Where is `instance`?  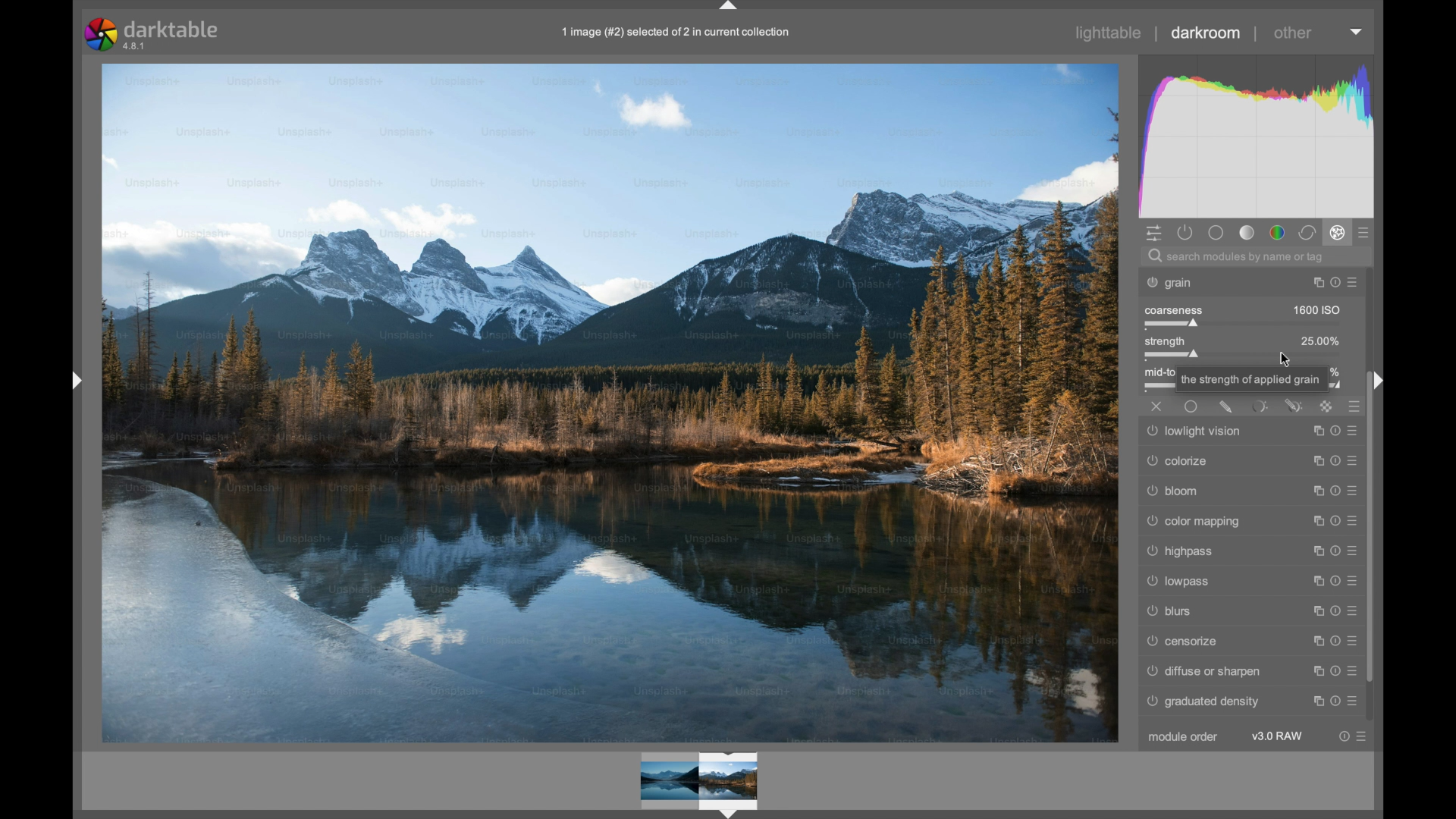 instance is located at coordinates (1313, 491).